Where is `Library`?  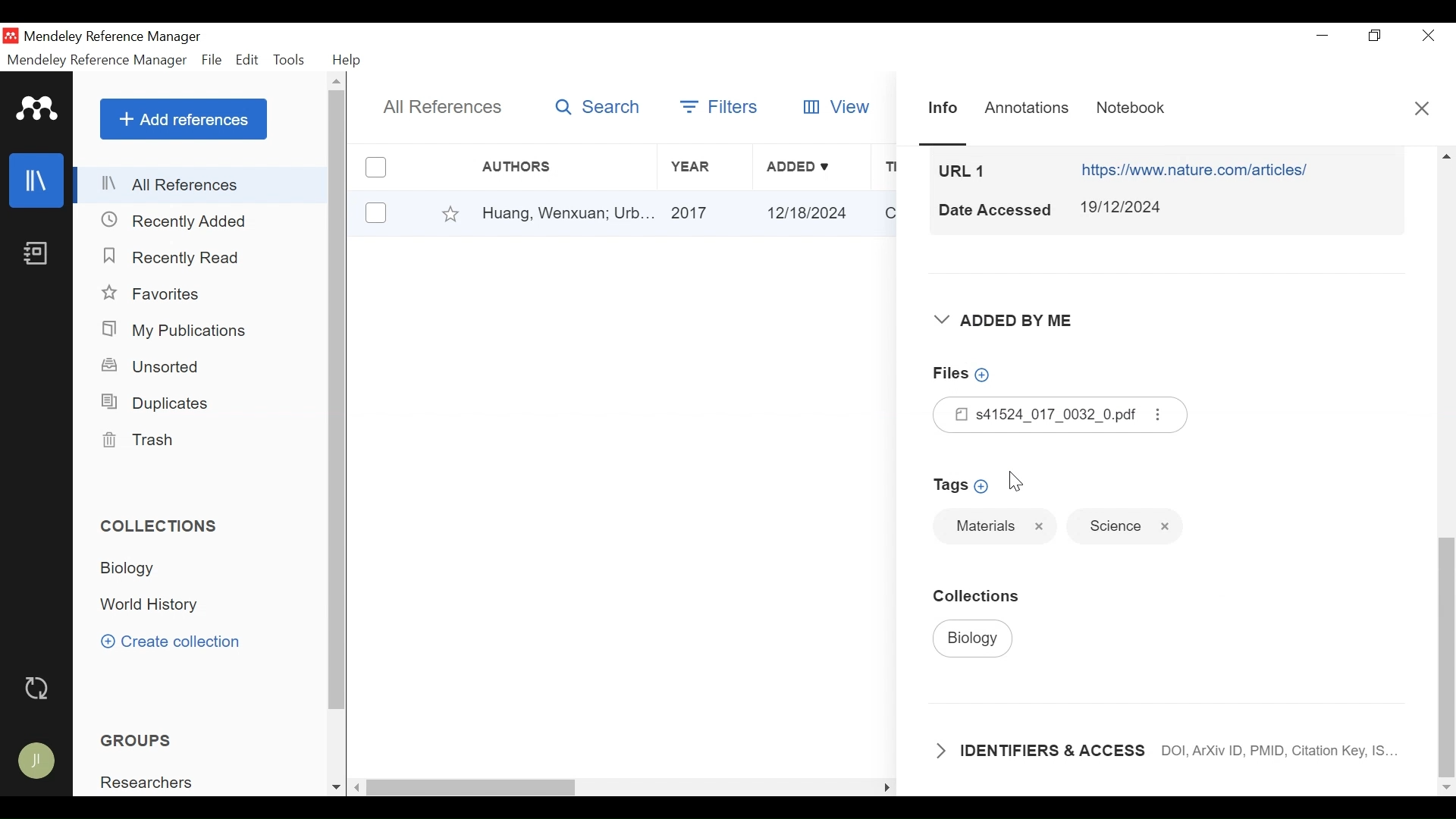 Library is located at coordinates (39, 180).